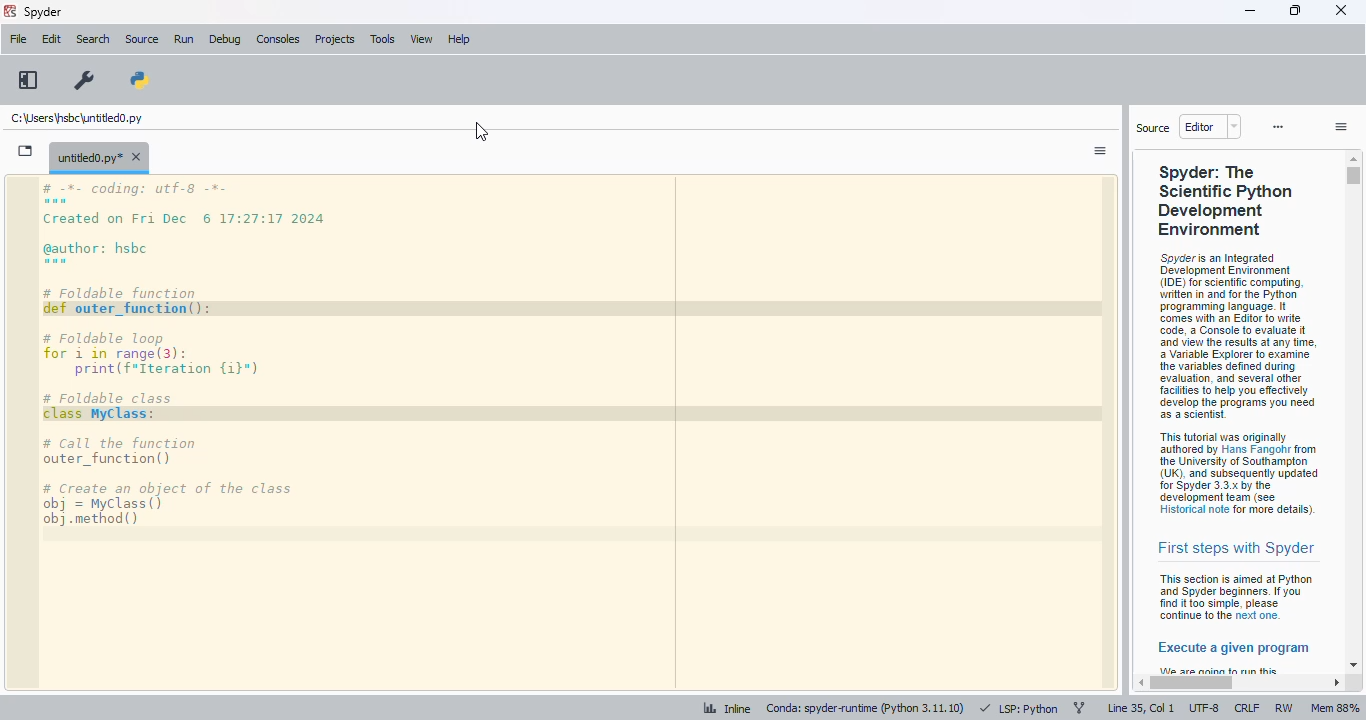 The width and height of the screenshot is (1366, 720). Describe the element at coordinates (1079, 709) in the screenshot. I see `git branch` at that location.